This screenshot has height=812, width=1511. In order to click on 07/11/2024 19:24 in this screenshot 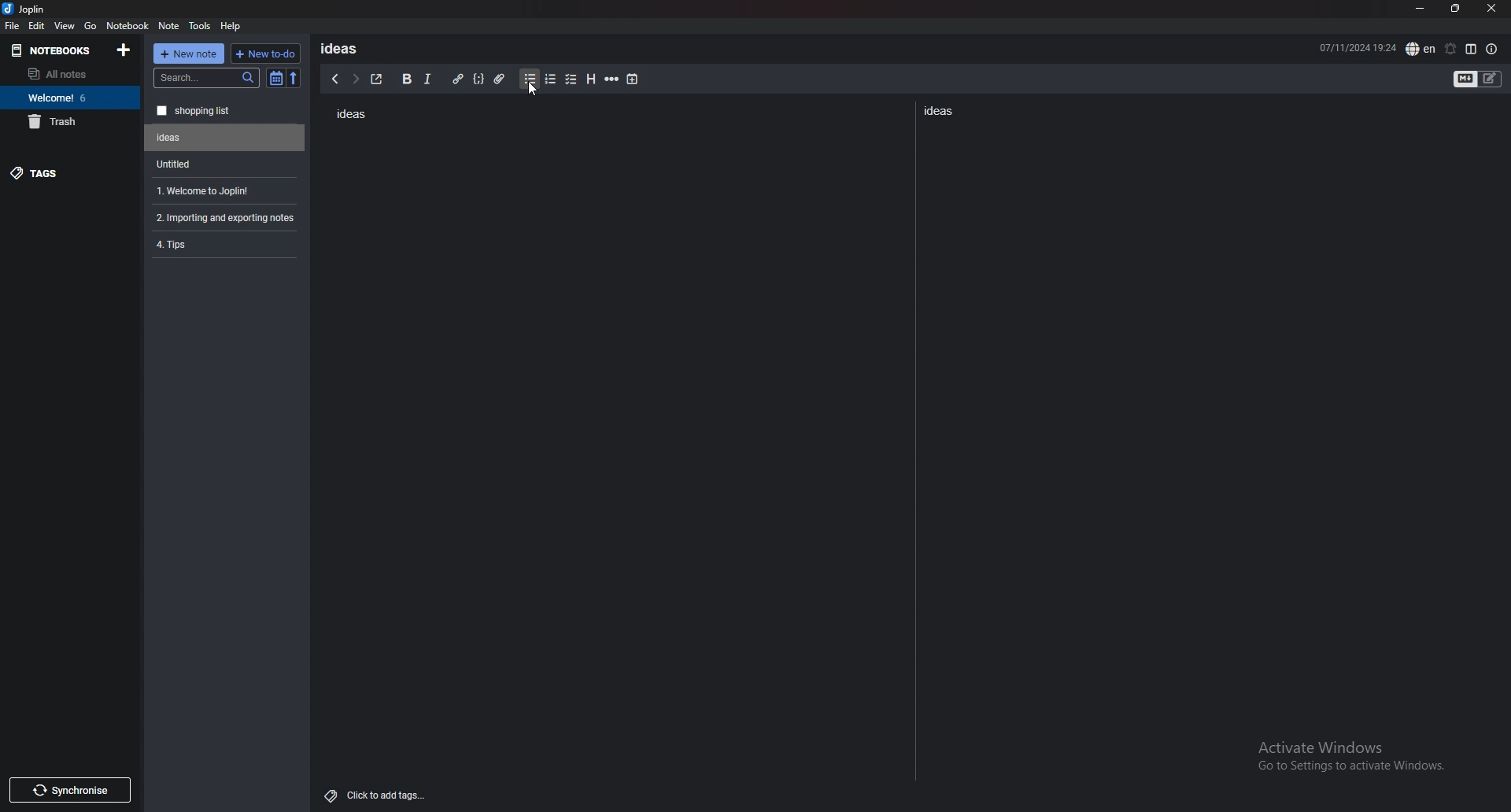, I will do `click(1358, 46)`.